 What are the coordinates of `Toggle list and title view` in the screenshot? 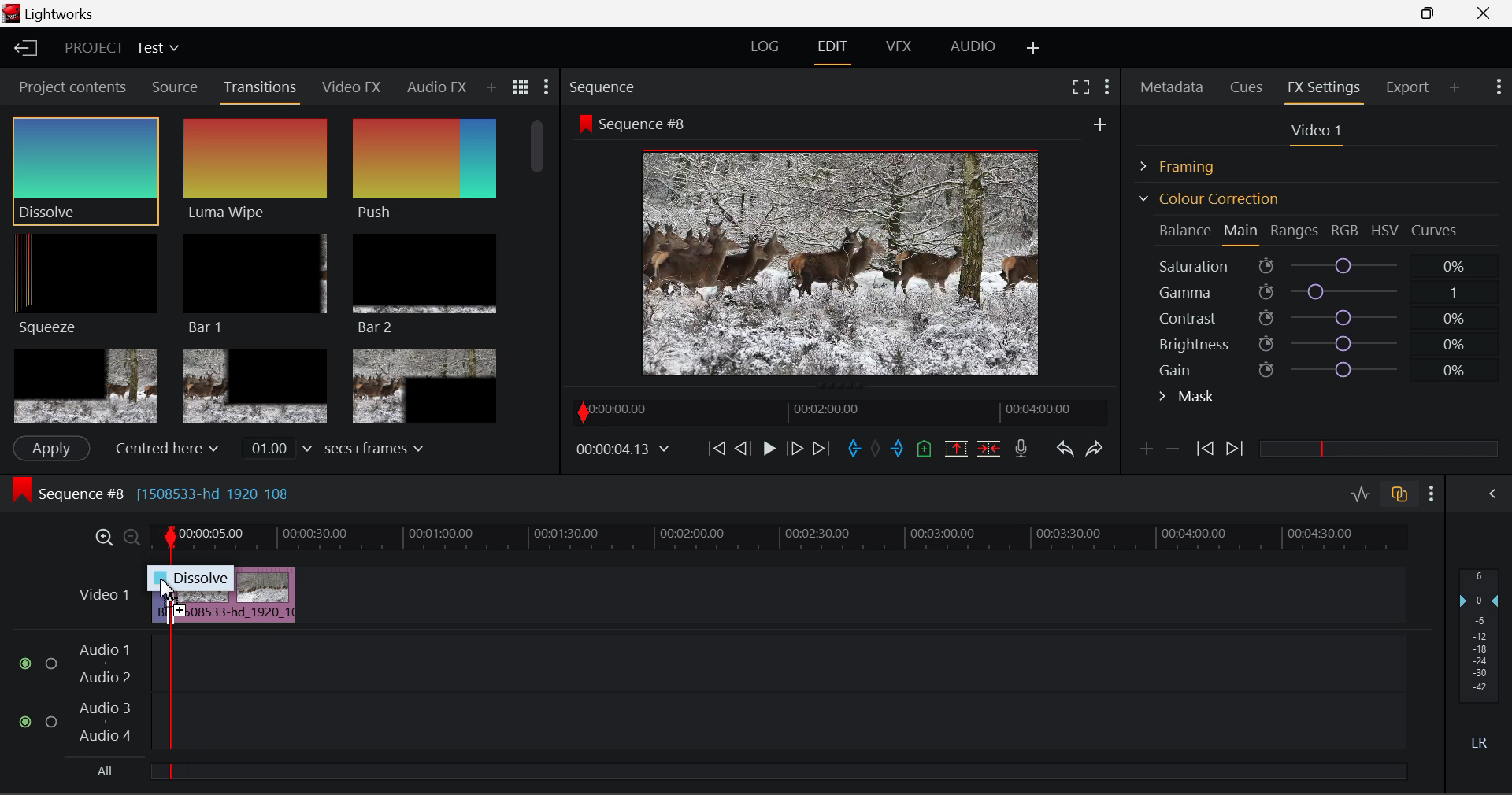 It's located at (521, 87).